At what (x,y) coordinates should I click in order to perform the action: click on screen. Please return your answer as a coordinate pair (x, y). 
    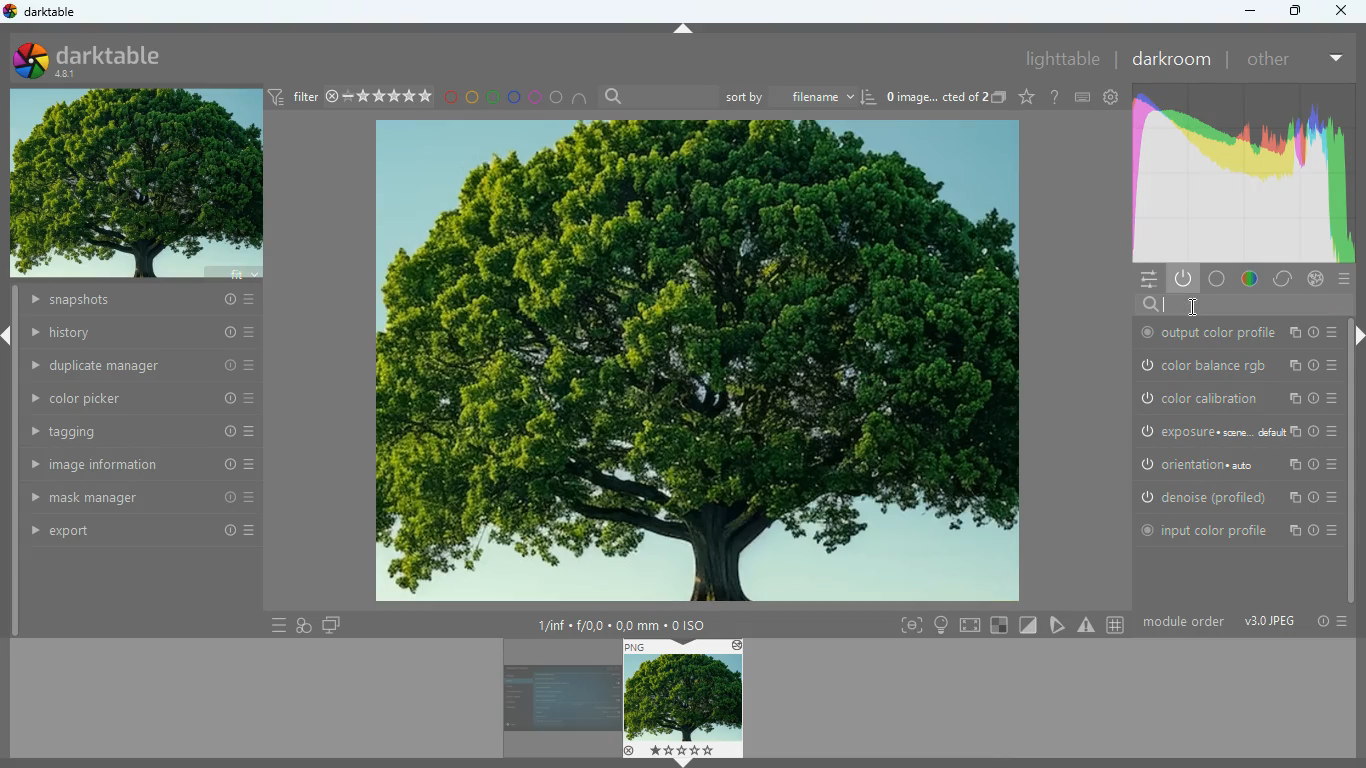
    Looking at the image, I should click on (969, 625).